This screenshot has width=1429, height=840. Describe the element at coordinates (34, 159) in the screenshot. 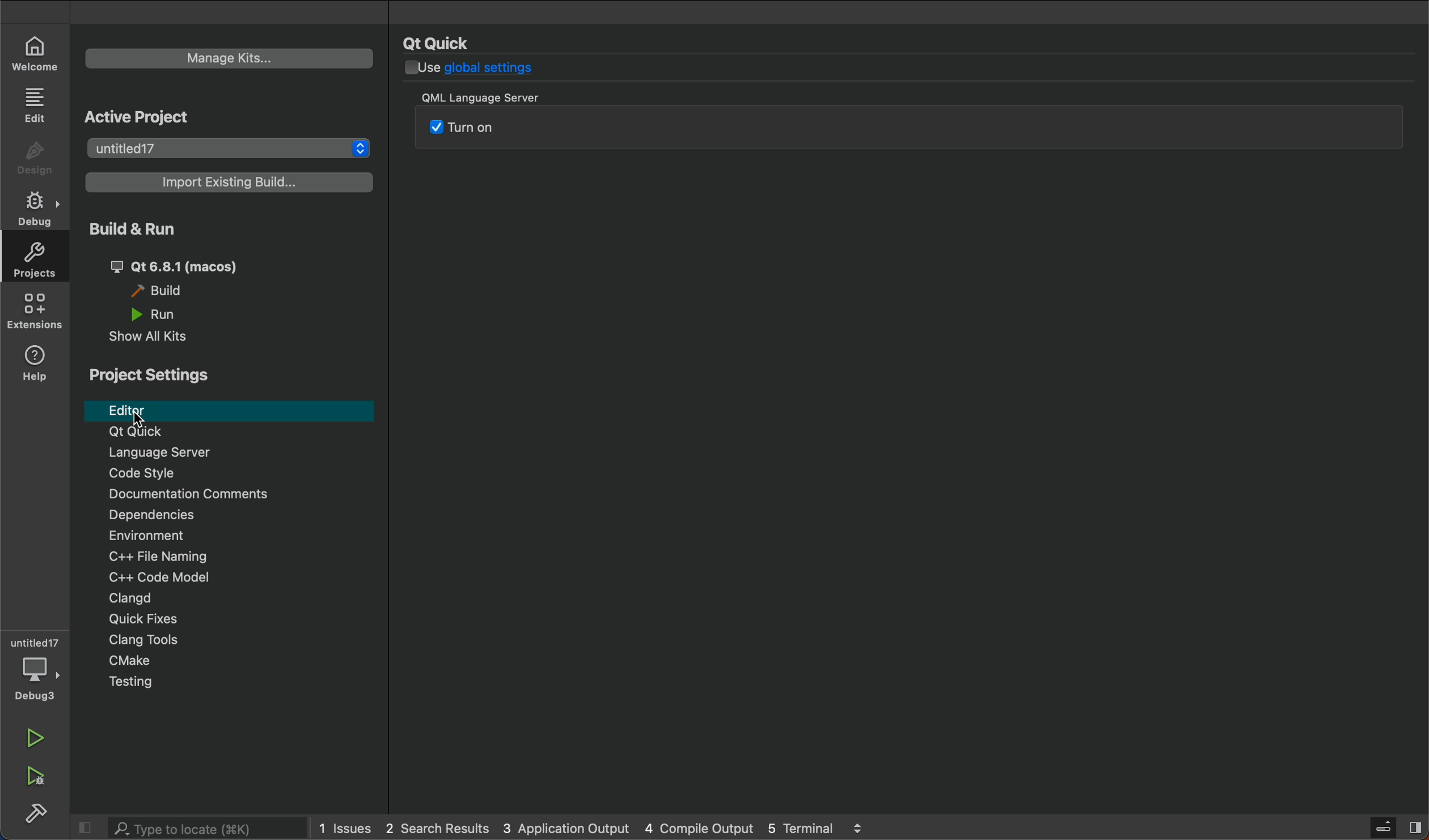

I see `design` at that location.